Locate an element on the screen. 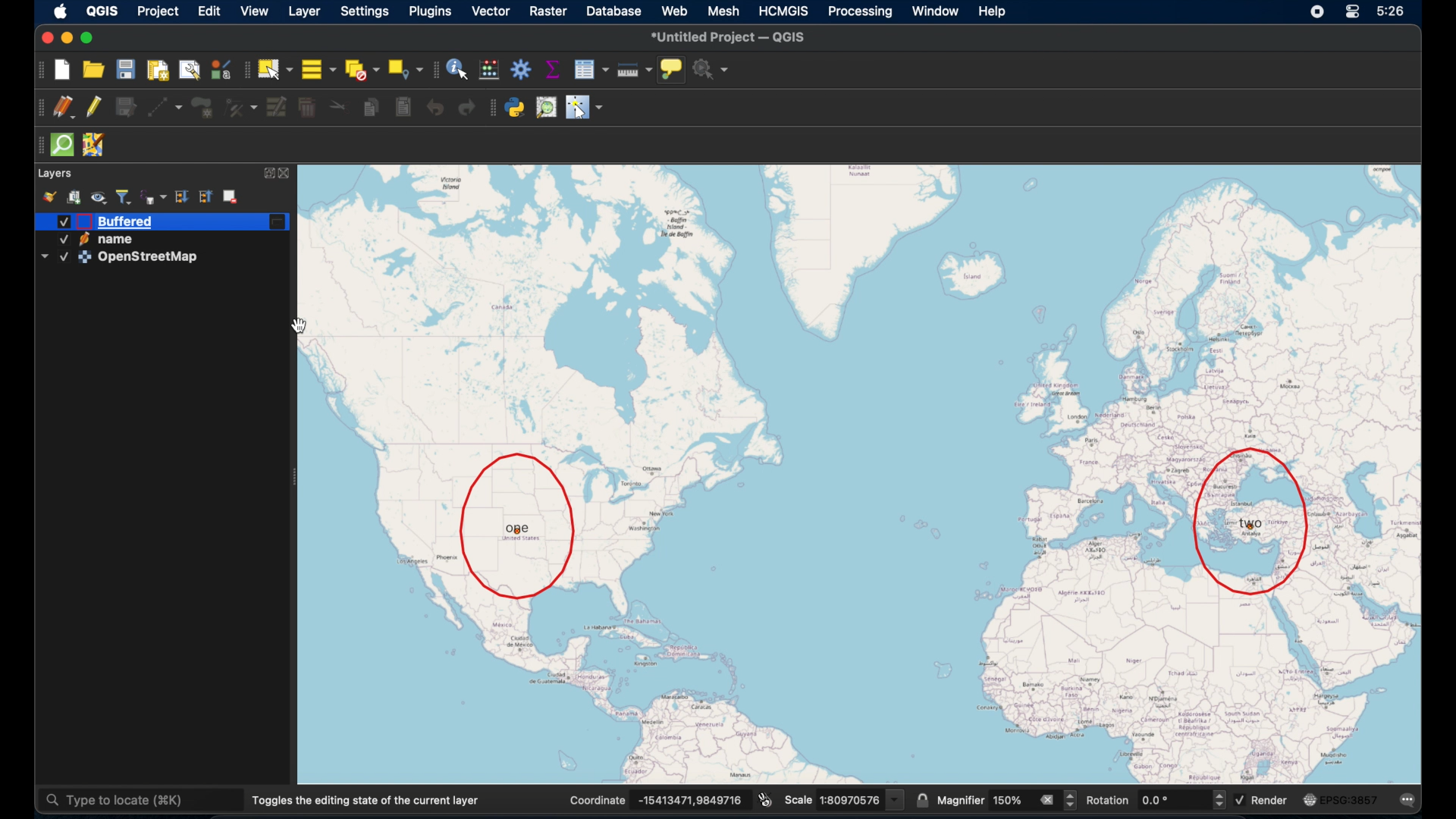 The image size is (1456, 819). select by location is located at coordinates (406, 67).